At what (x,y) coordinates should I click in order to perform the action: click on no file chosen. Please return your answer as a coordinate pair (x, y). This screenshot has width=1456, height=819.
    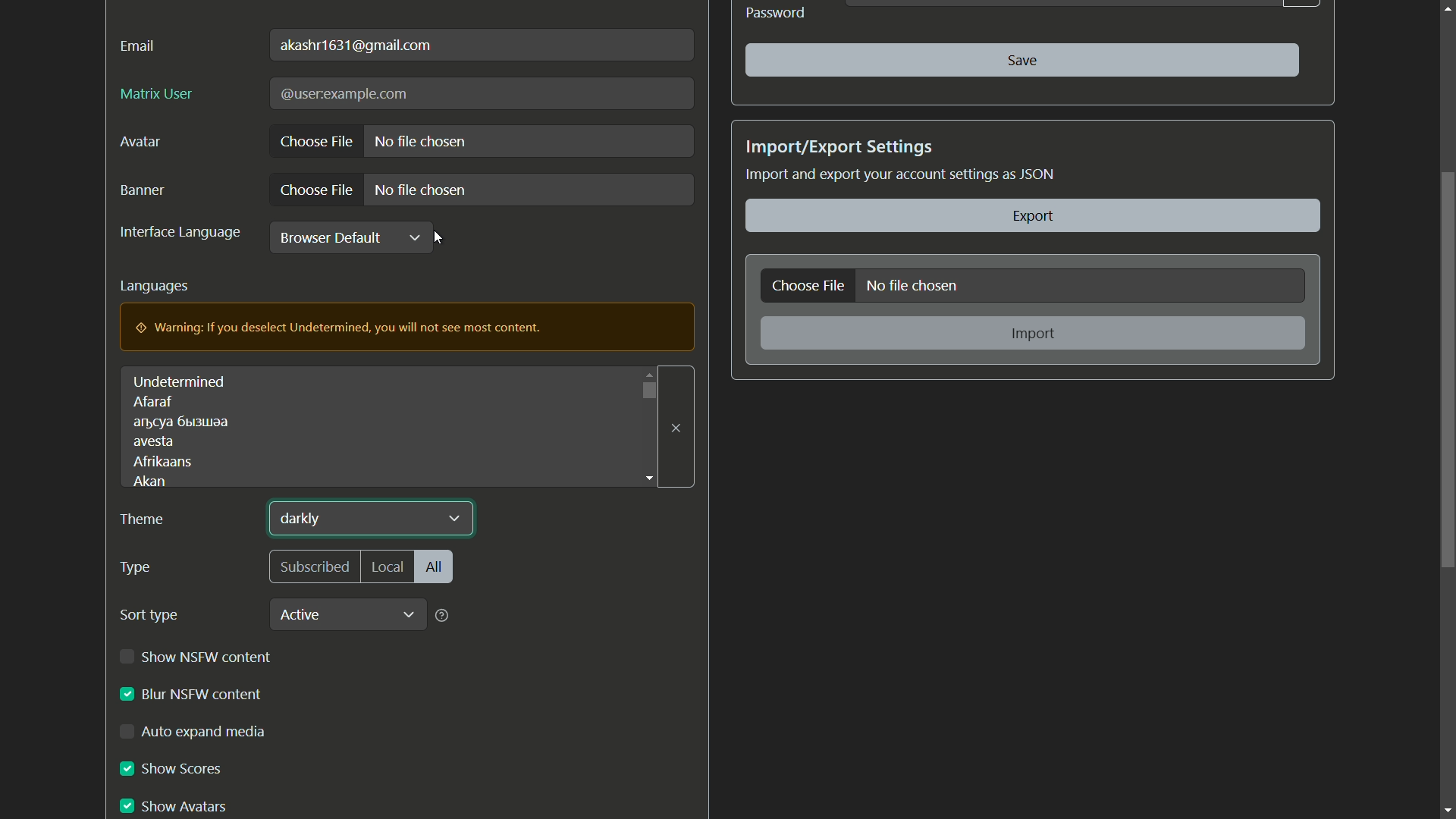
    Looking at the image, I should click on (913, 287).